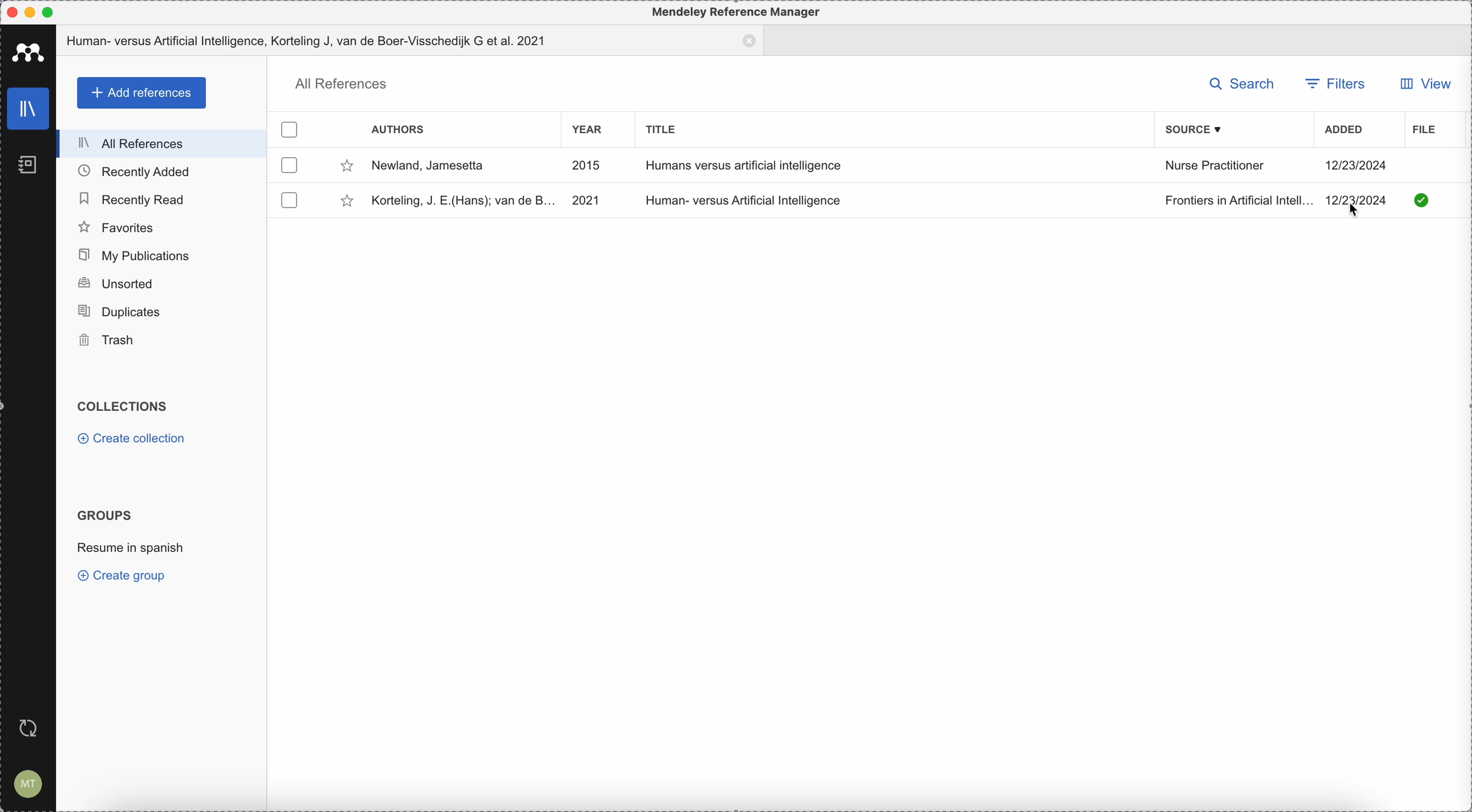 The image size is (1472, 812). Describe the element at coordinates (58, 13) in the screenshot. I see `maximize Mendeley` at that location.